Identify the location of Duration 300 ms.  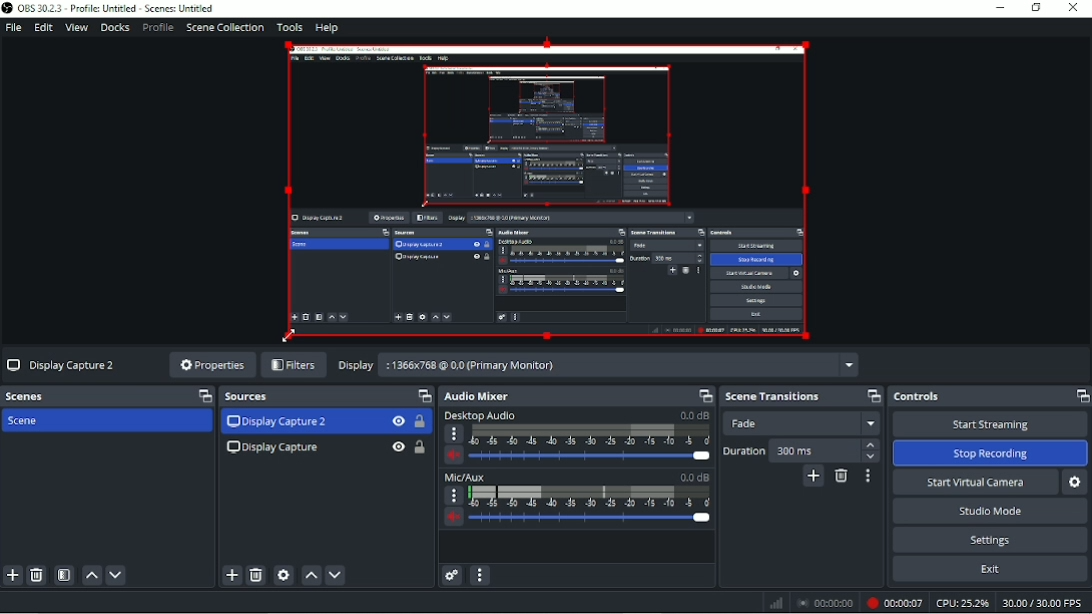
(786, 450).